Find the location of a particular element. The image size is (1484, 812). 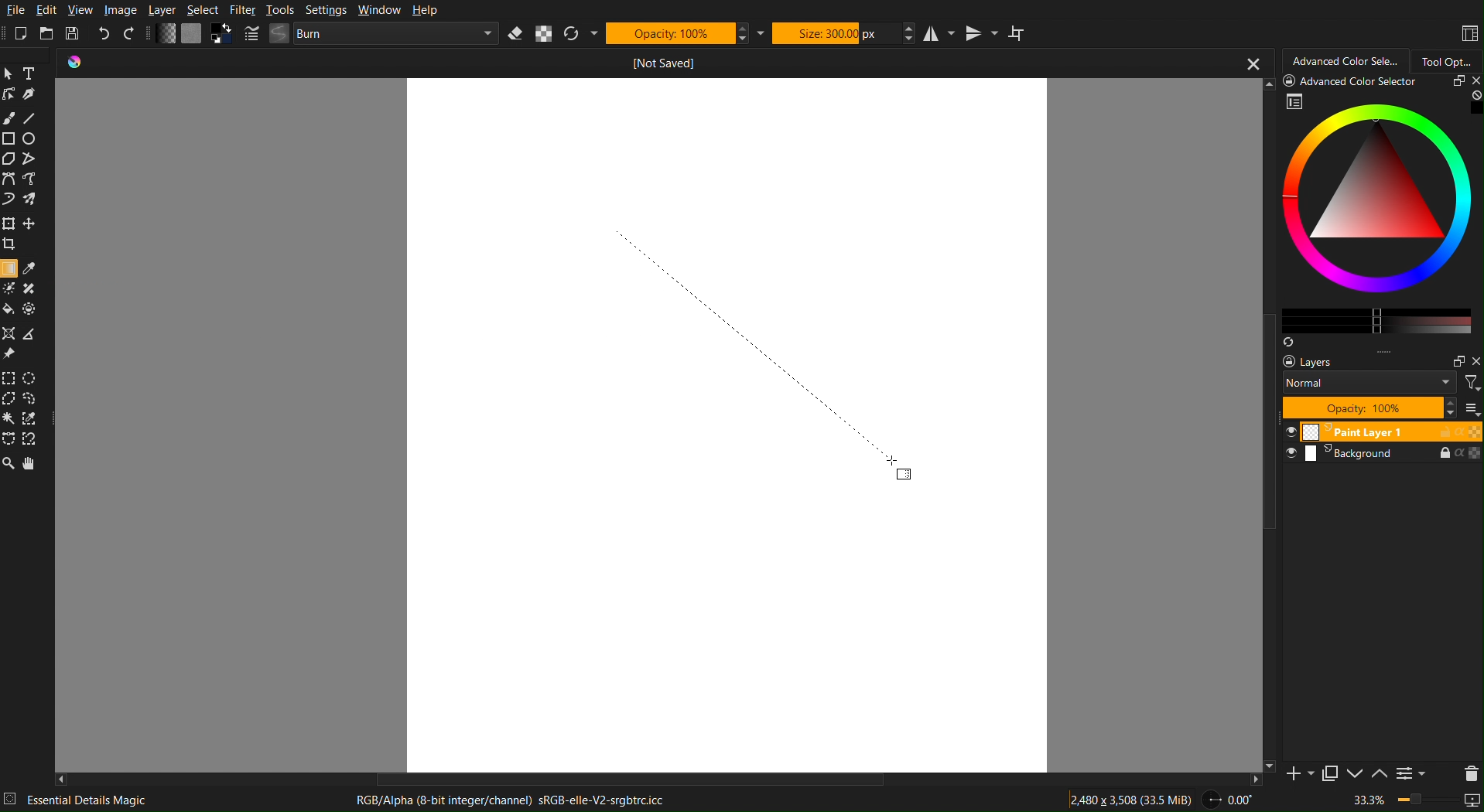

Brush Settings is located at coordinates (373, 34).